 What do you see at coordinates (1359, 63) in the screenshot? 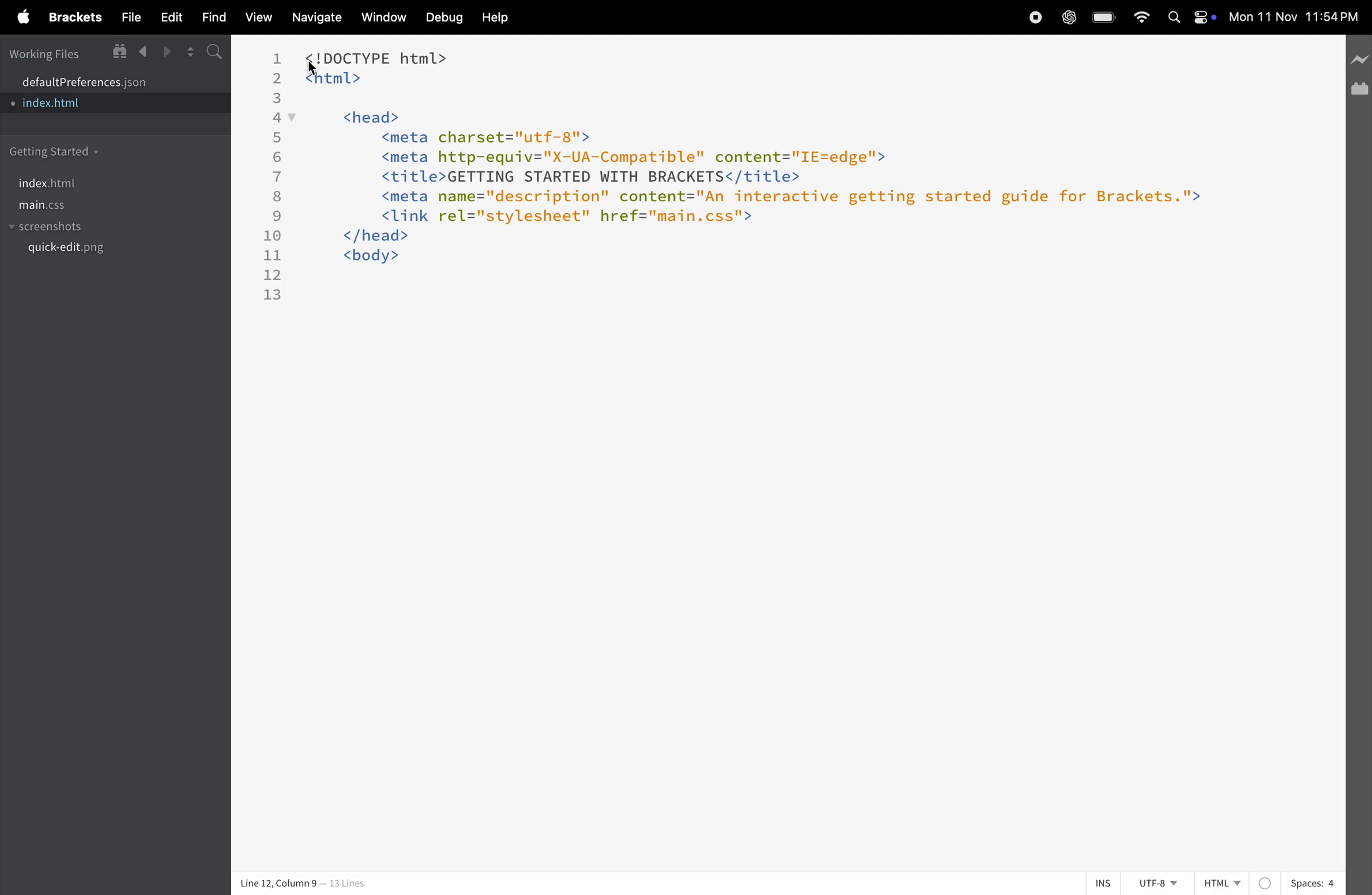
I see `line preview` at bounding box center [1359, 63].